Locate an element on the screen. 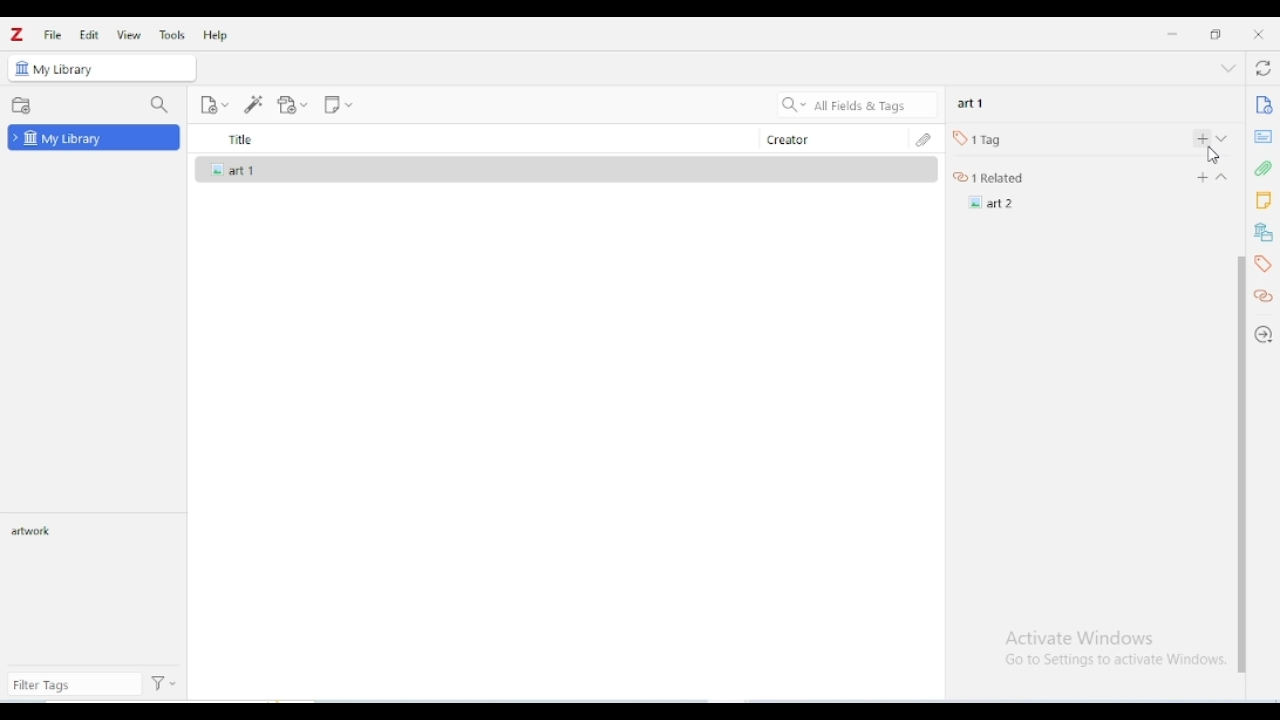  edit is located at coordinates (89, 35).